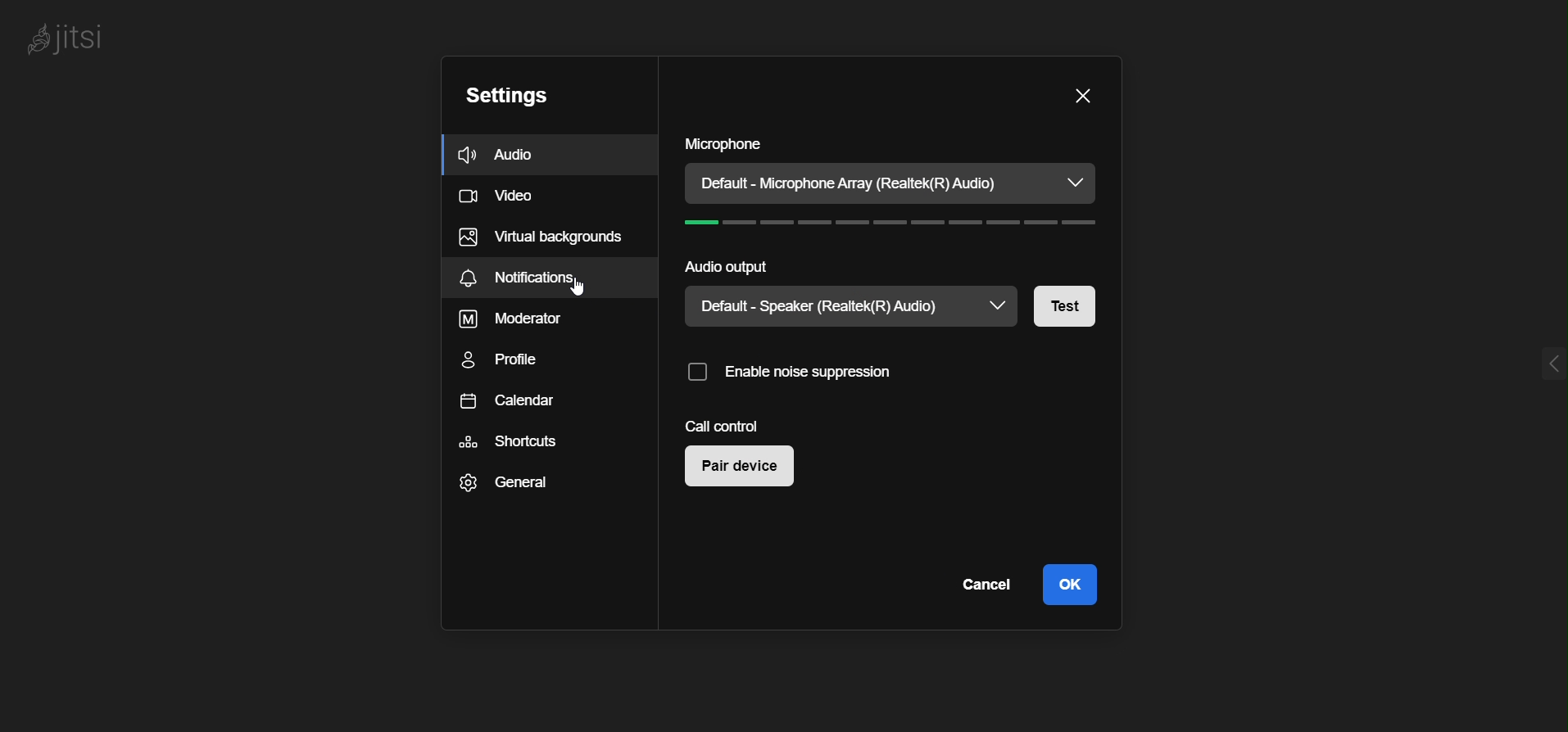 Image resolution: width=1568 pixels, height=732 pixels. I want to click on video, so click(501, 193).